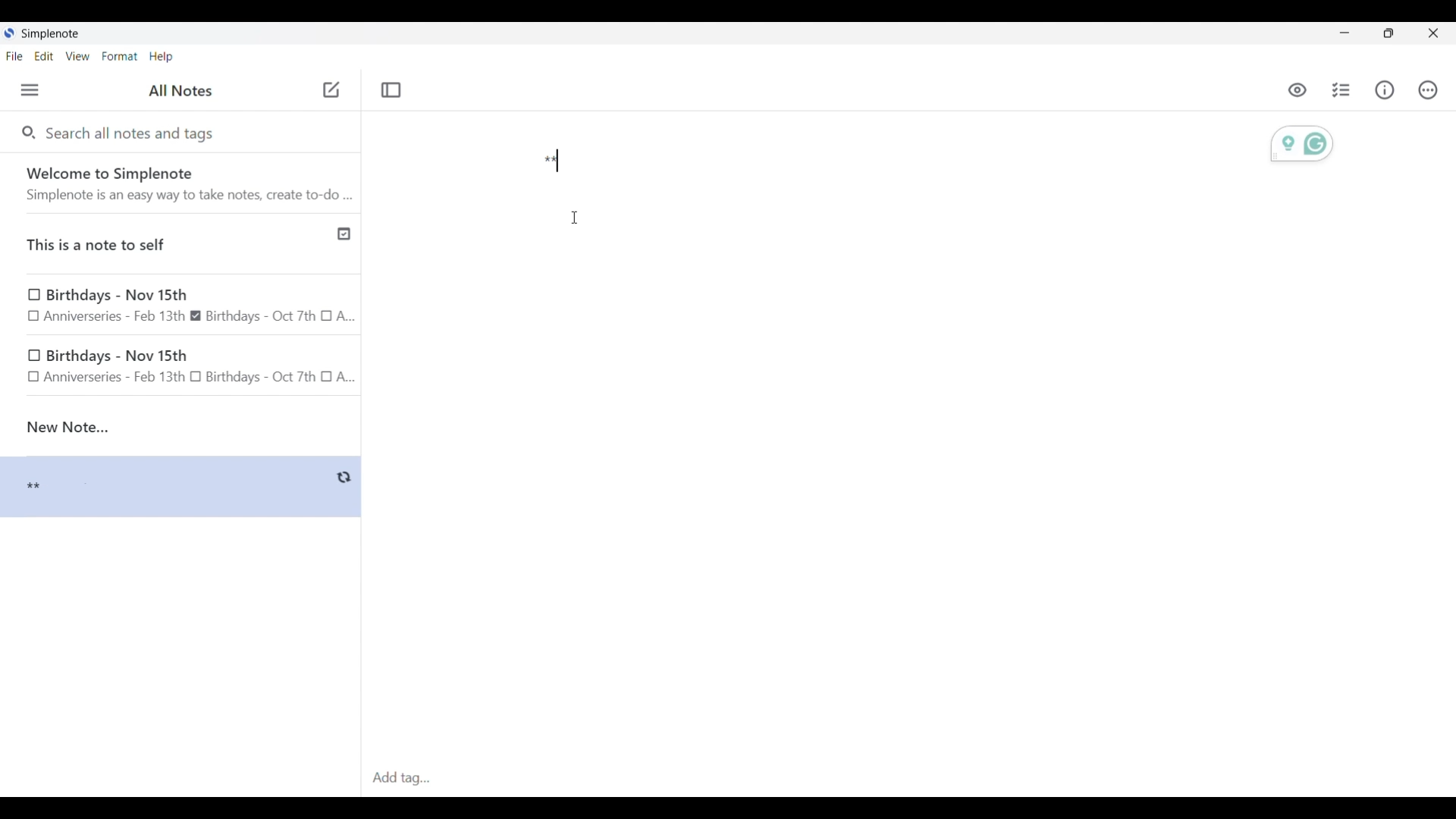 Image resolution: width=1456 pixels, height=819 pixels. Describe the element at coordinates (331, 89) in the screenshot. I see `Click to add new note` at that location.